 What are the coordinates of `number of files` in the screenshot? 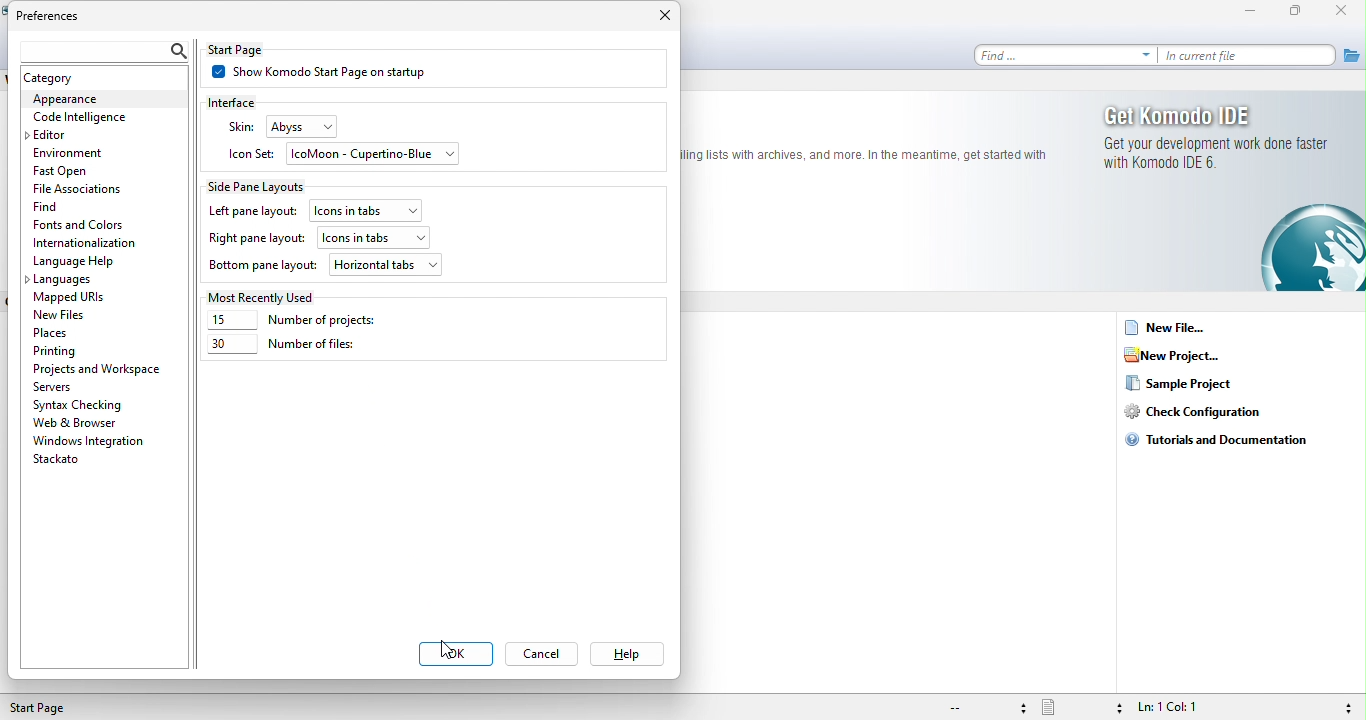 It's located at (282, 348).